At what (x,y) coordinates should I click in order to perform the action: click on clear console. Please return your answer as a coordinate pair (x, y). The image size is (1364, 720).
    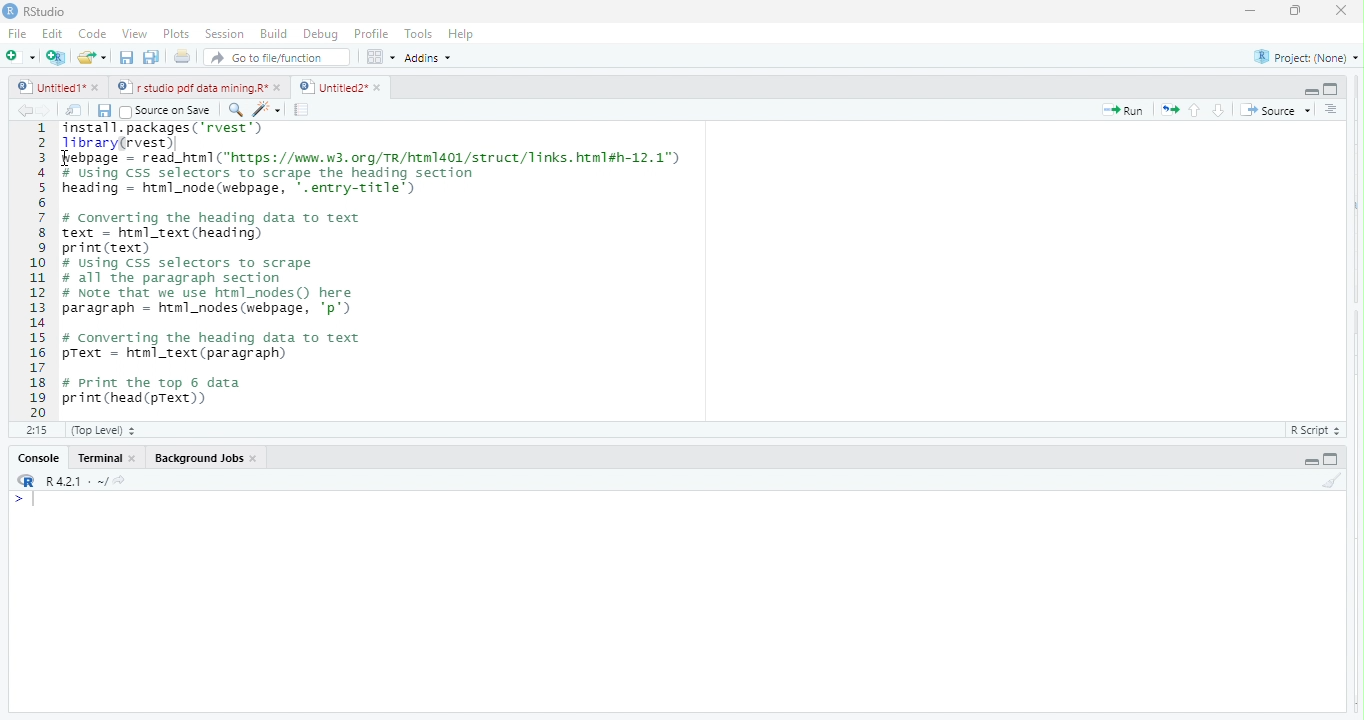
    Looking at the image, I should click on (1340, 478).